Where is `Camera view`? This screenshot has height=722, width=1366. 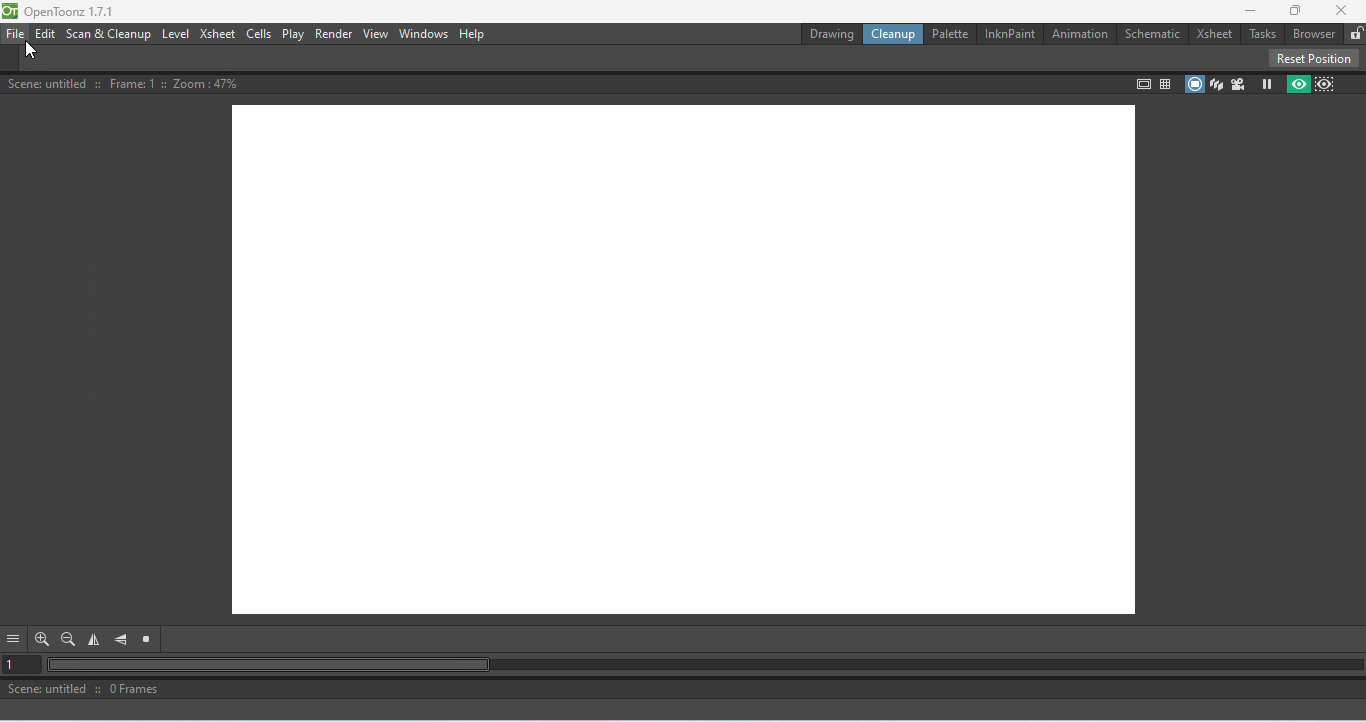 Camera view is located at coordinates (1238, 84).